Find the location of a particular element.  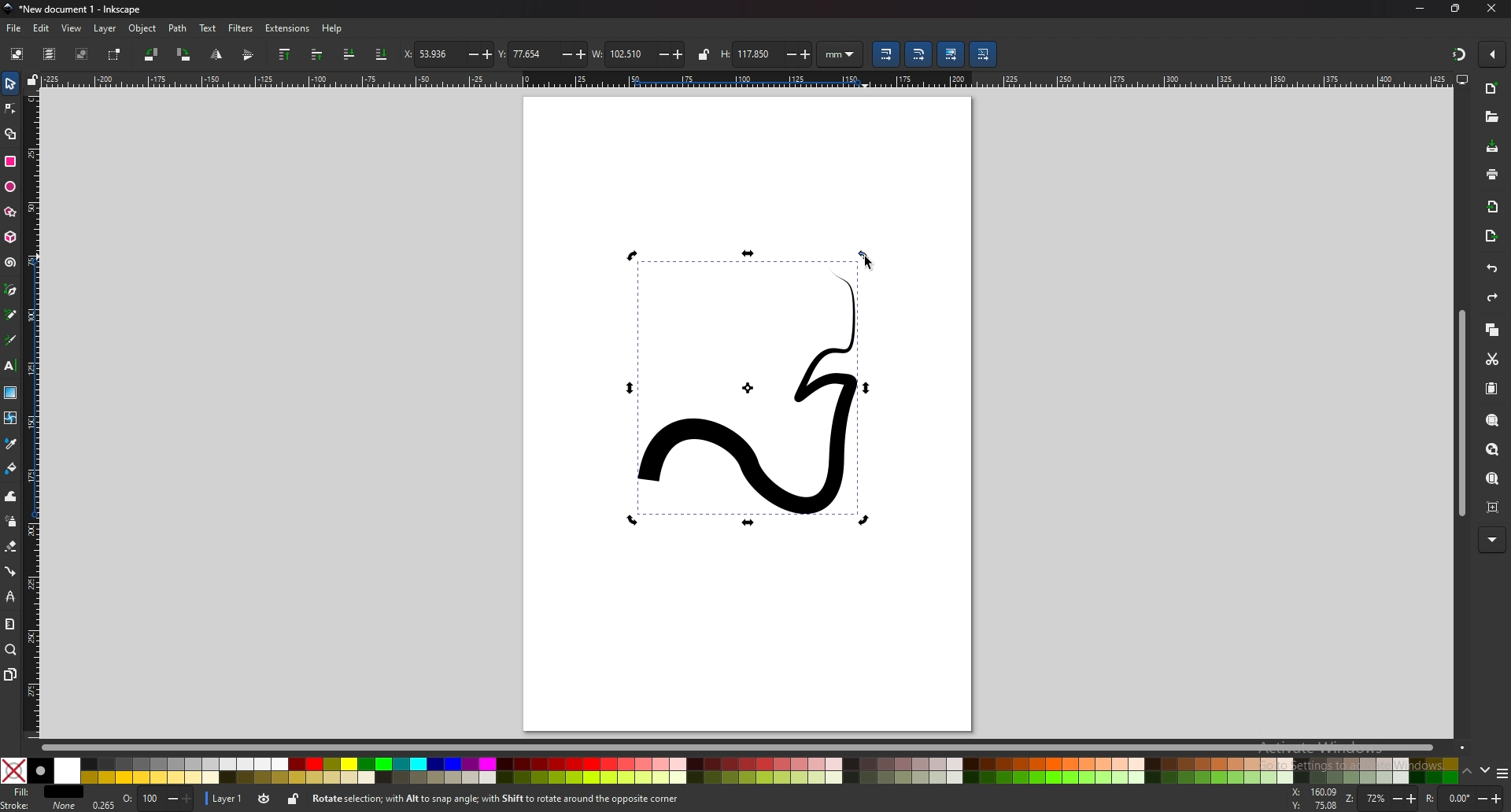

eraser is located at coordinates (10, 546).